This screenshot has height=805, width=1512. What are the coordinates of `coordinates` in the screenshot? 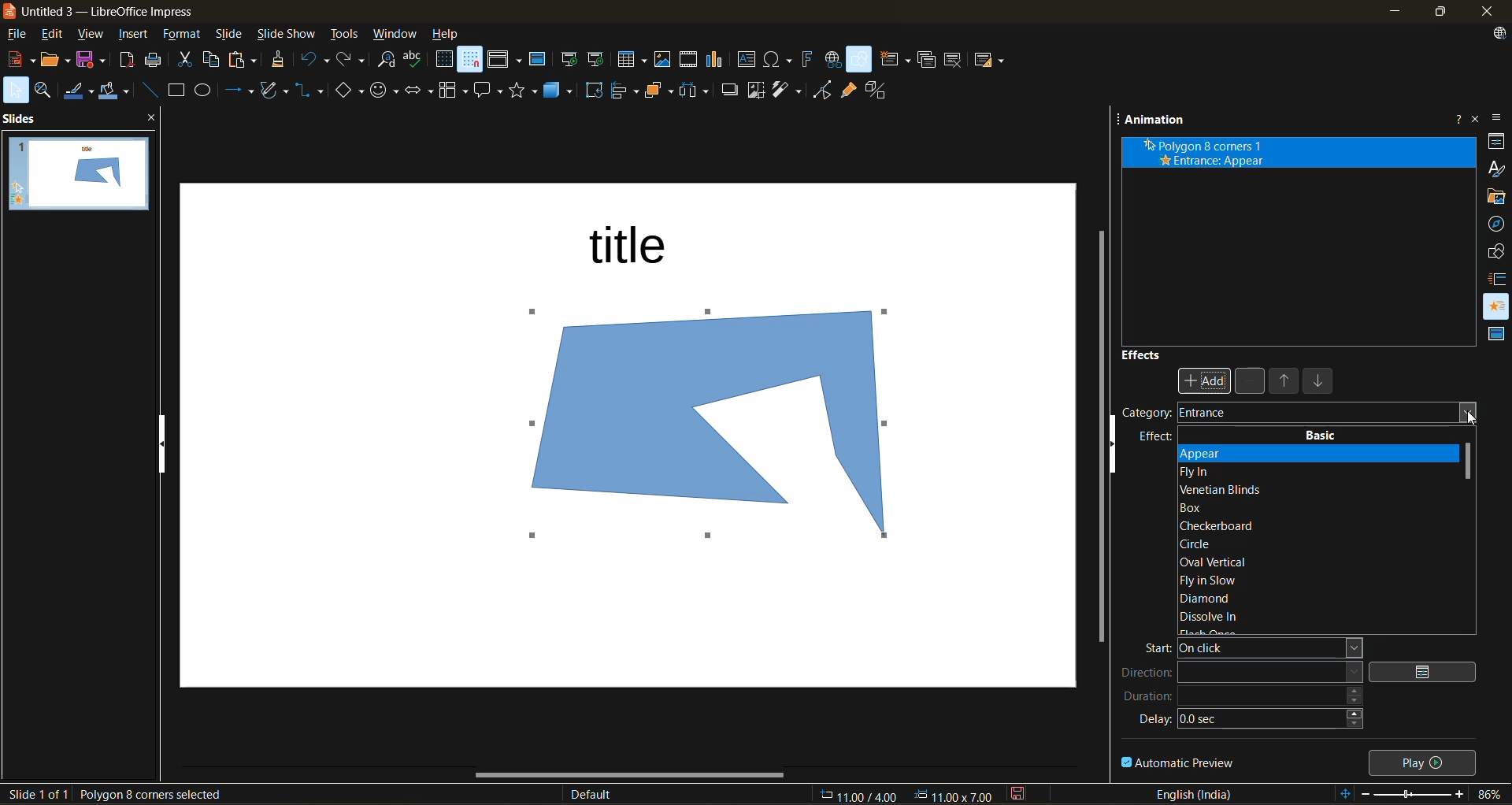 It's located at (906, 793).